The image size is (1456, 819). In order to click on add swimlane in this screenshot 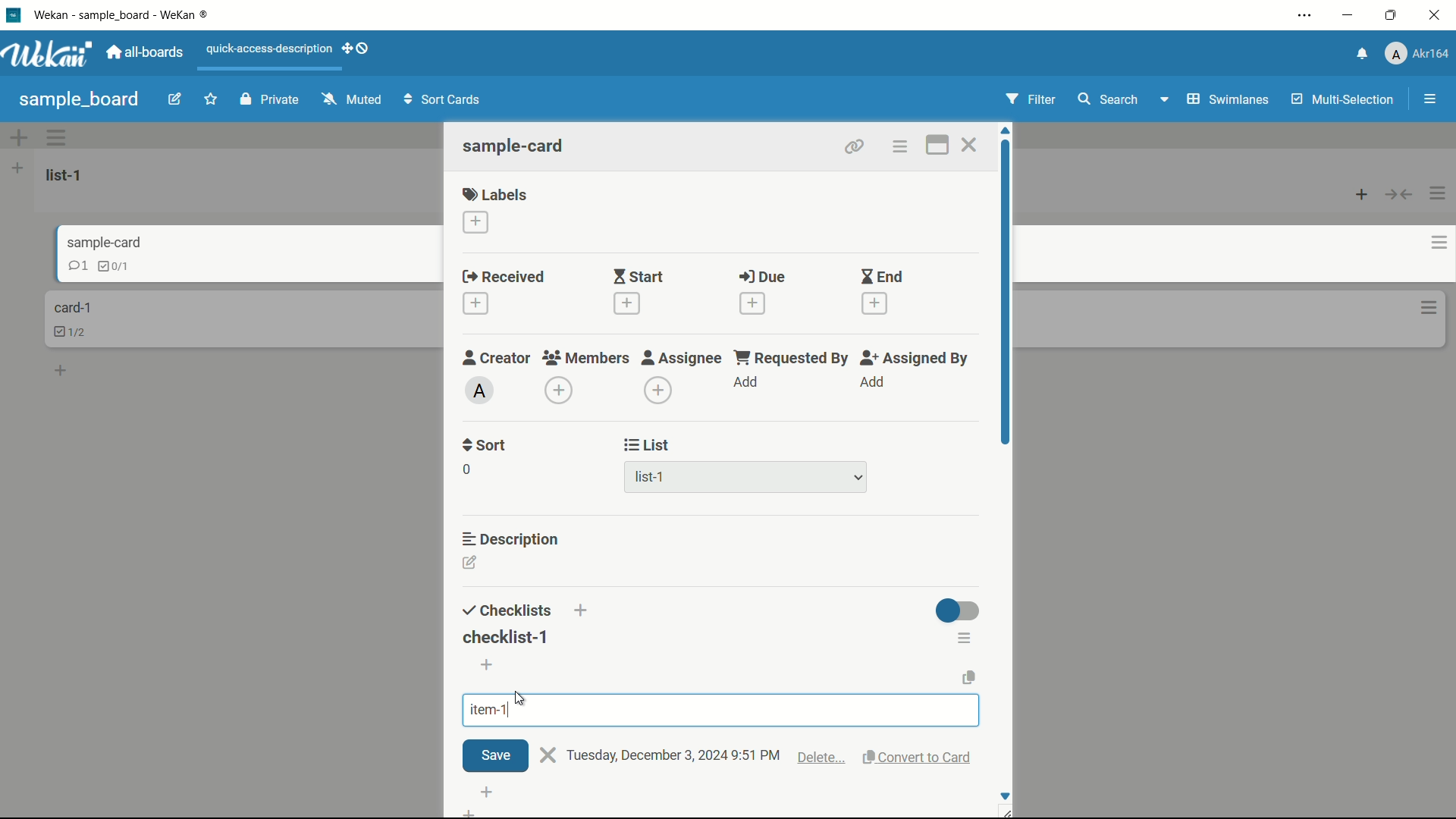, I will do `click(19, 136)`.